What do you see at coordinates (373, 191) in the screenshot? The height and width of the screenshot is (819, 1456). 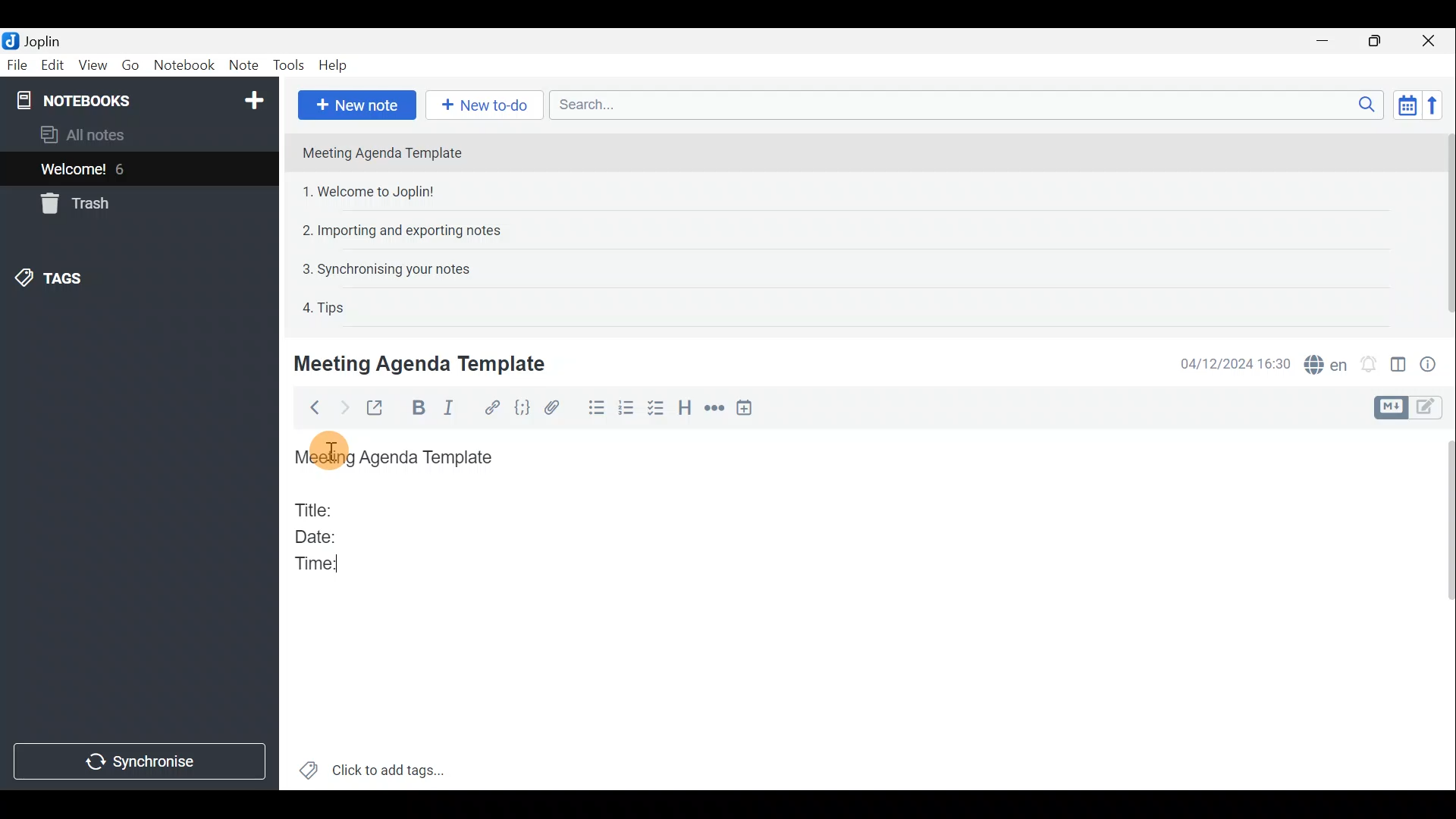 I see `1. Welcome to Joplin!` at bounding box center [373, 191].